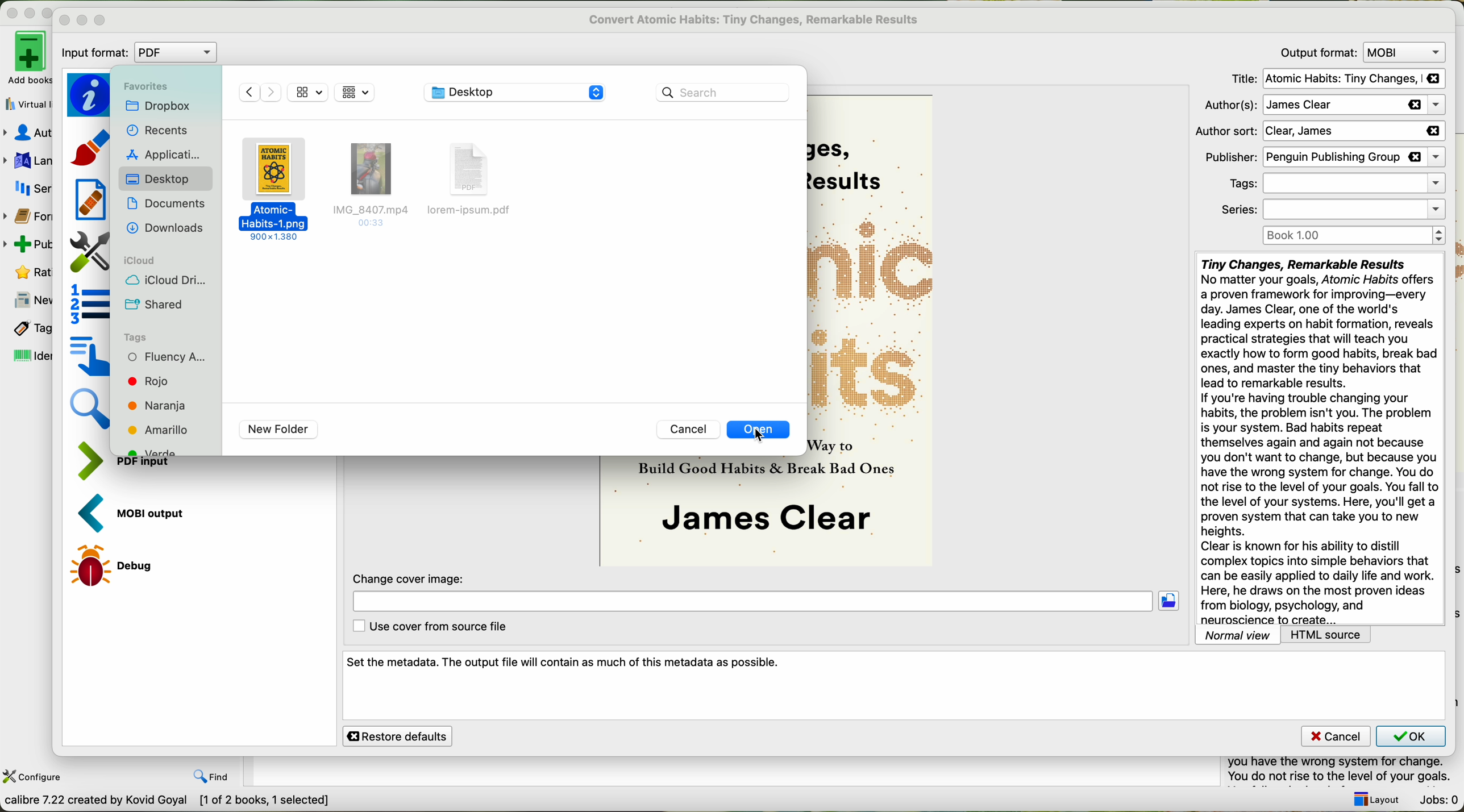  Describe the element at coordinates (1438, 801) in the screenshot. I see `Jobs: 0` at that location.